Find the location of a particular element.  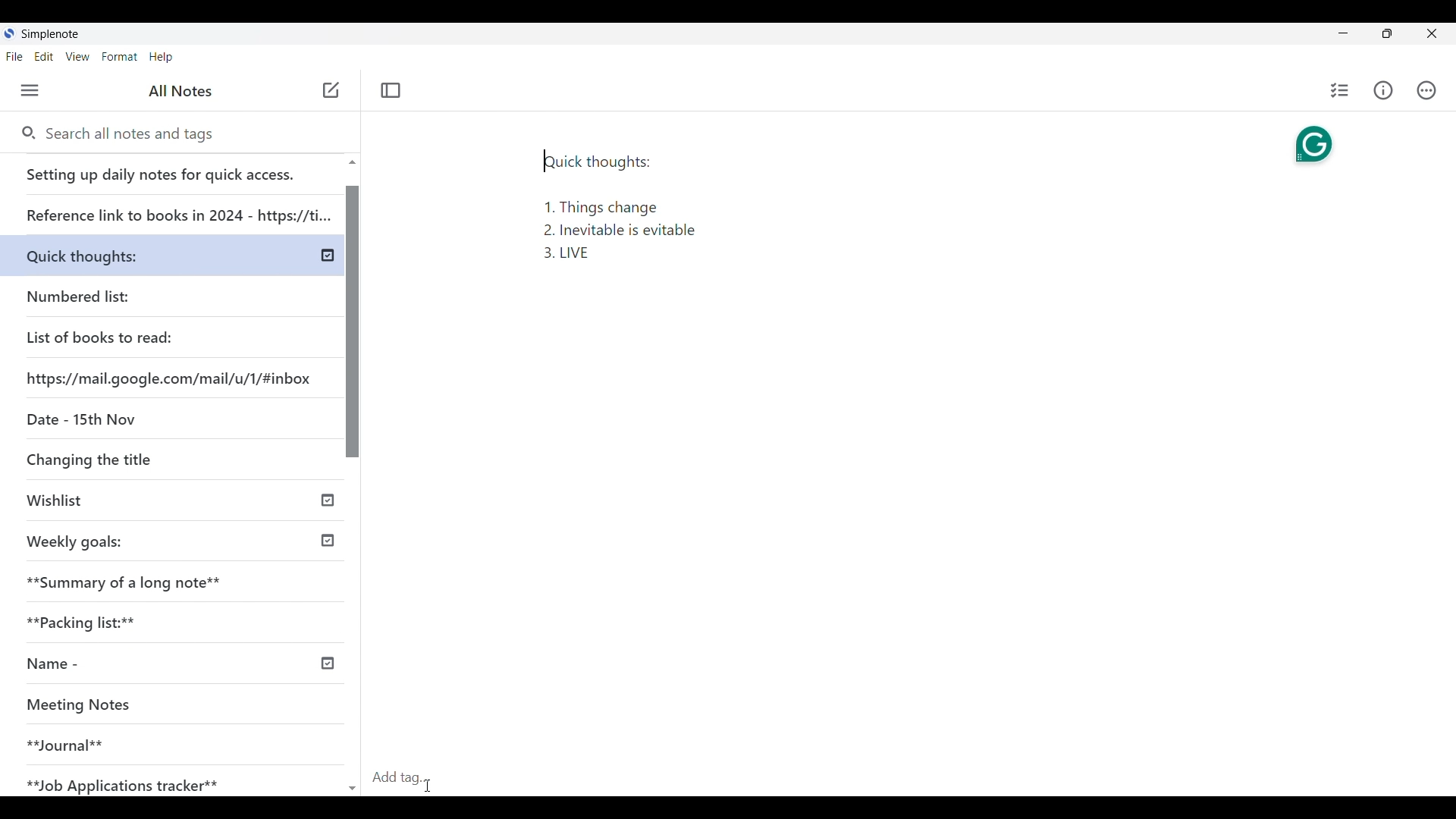

toggle screen size is located at coordinates (1387, 33).